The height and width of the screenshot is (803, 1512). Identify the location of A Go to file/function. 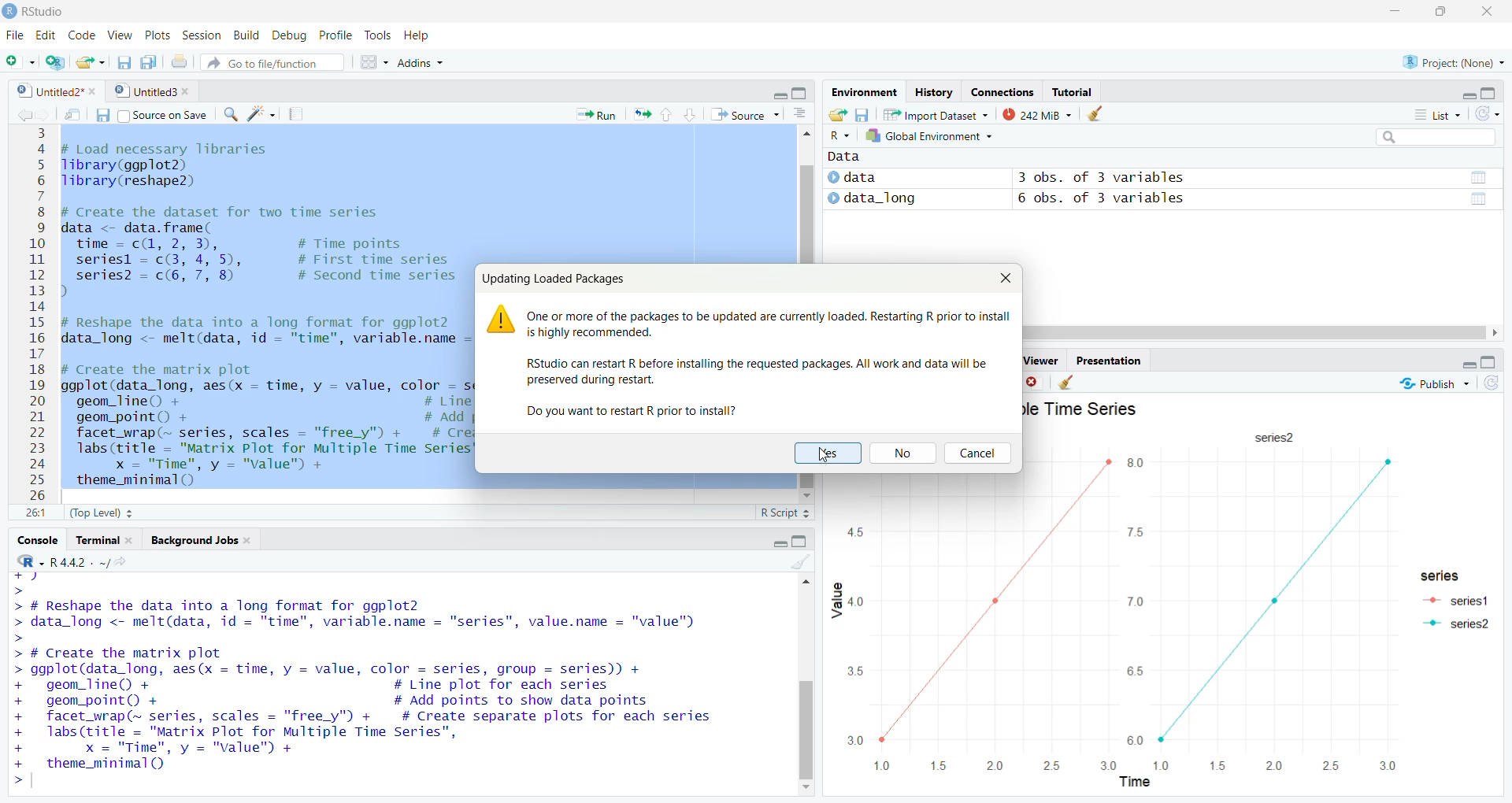
(272, 61).